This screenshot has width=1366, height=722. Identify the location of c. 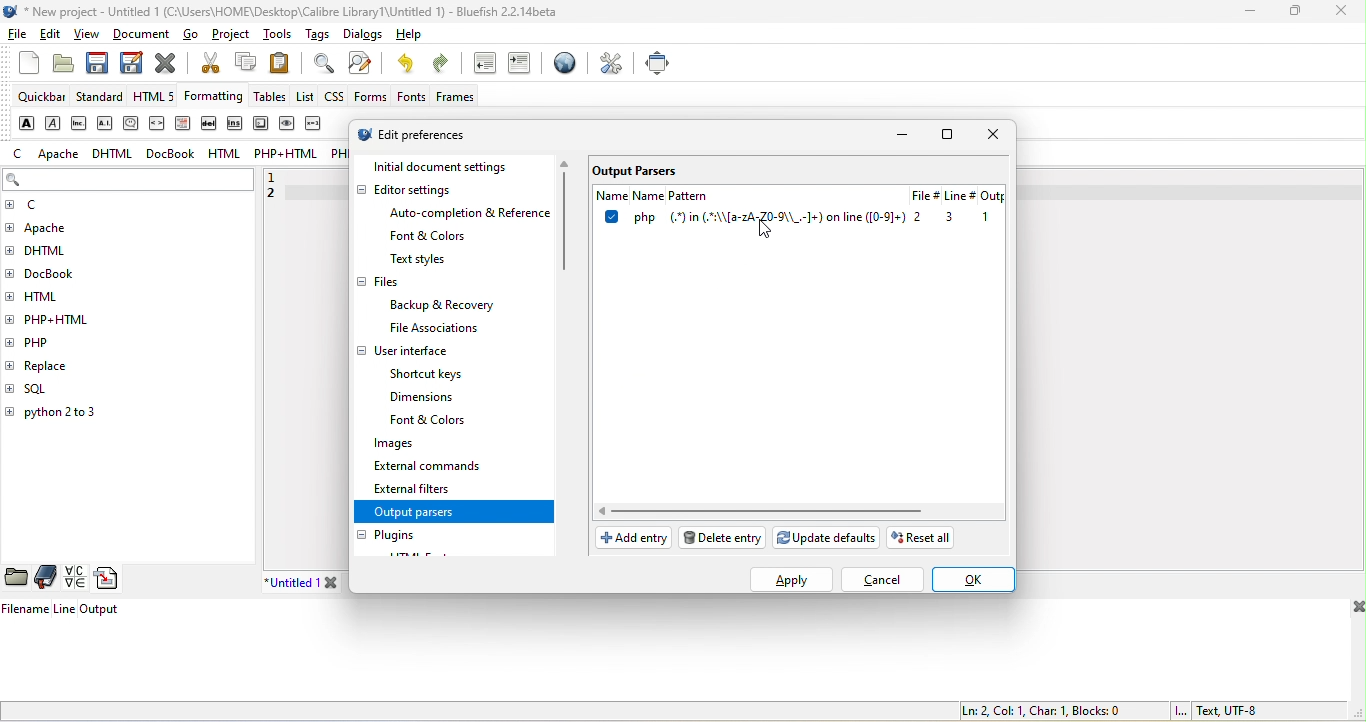
(38, 206).